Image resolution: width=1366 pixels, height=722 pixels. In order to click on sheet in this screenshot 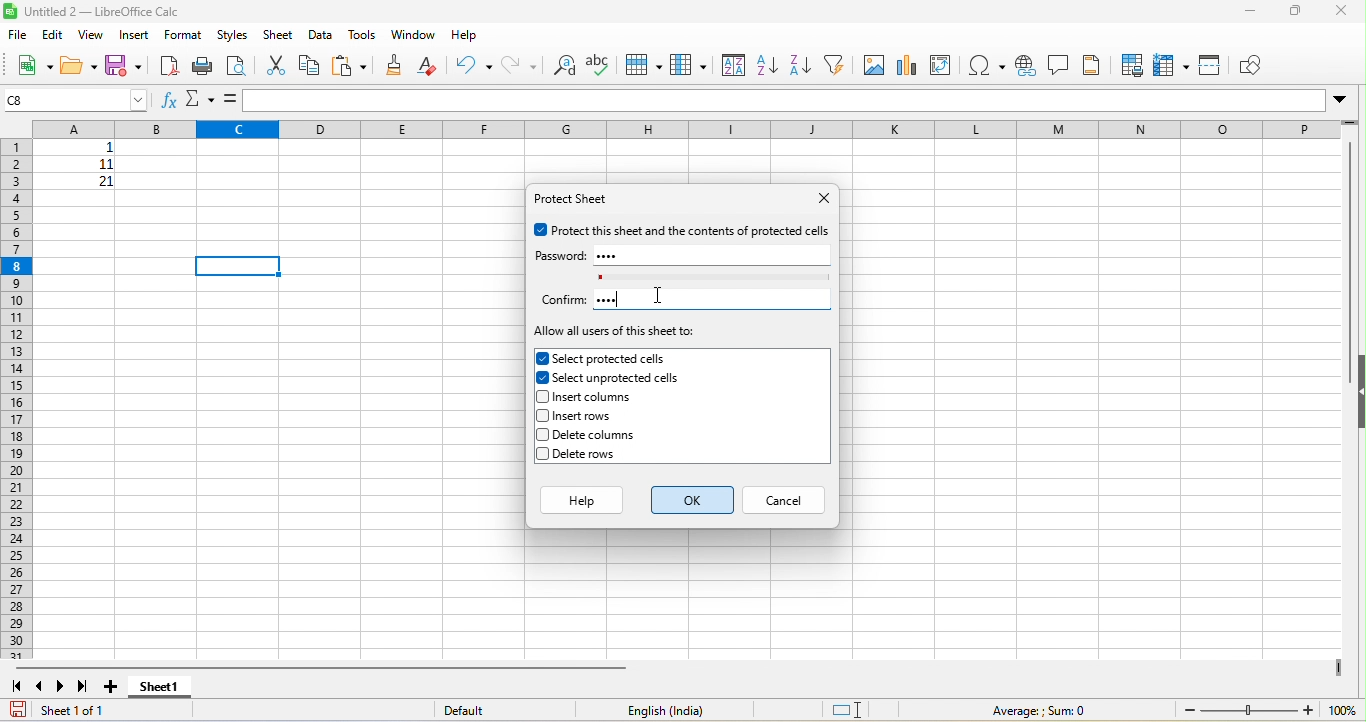, I will do `click(280, 35)`.